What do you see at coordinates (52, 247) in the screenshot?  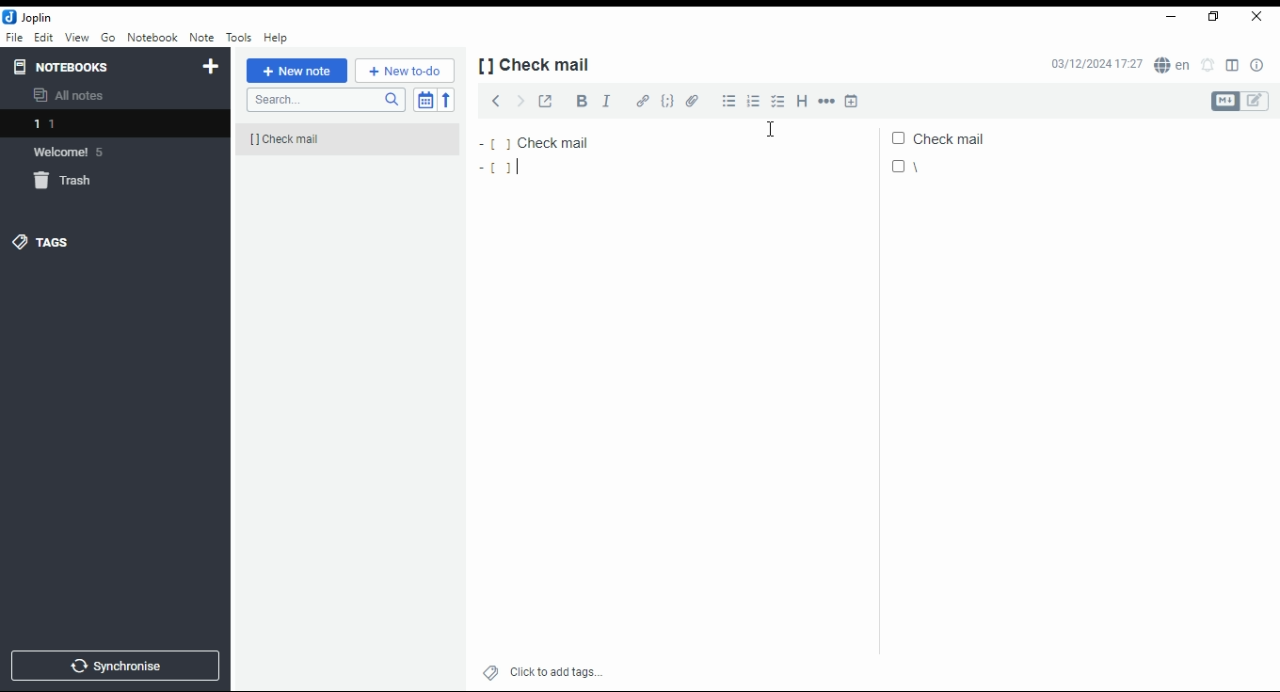 I see `tags` at bounding box center [52, 247].